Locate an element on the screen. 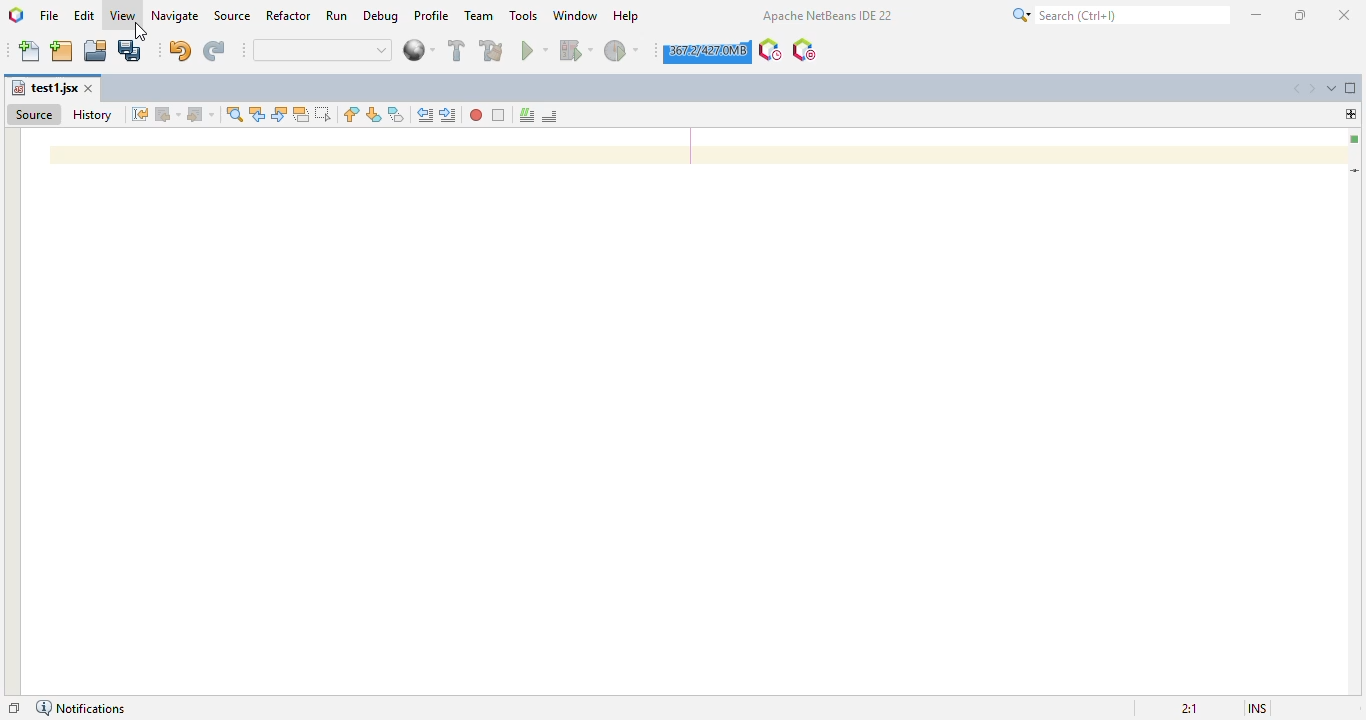 Image resolution: width=1366 pixels, height=720 pixels. run project is located at coordinates (534, 50).